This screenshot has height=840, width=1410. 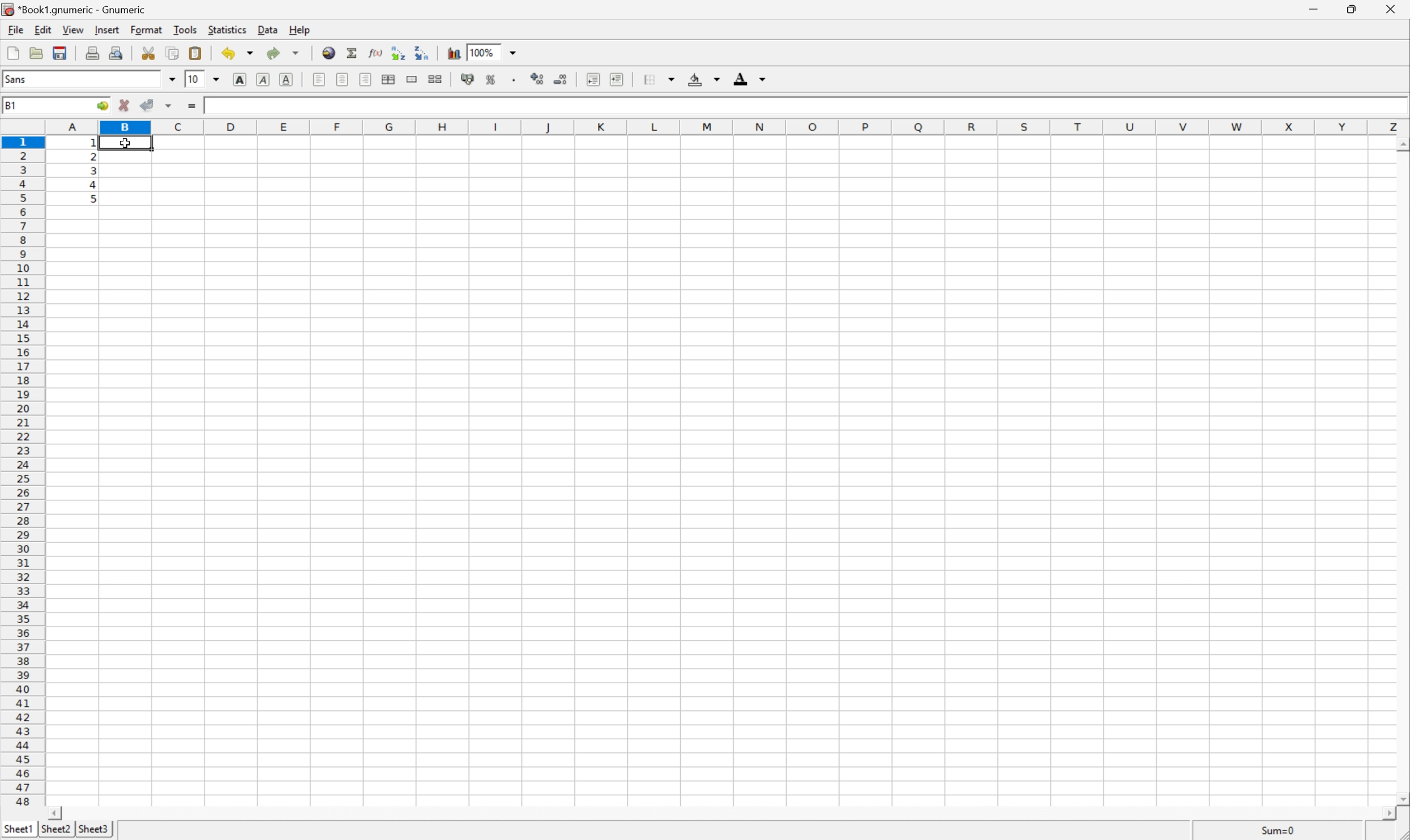 I want to click on Enter formula, so click(x=190, y=108).